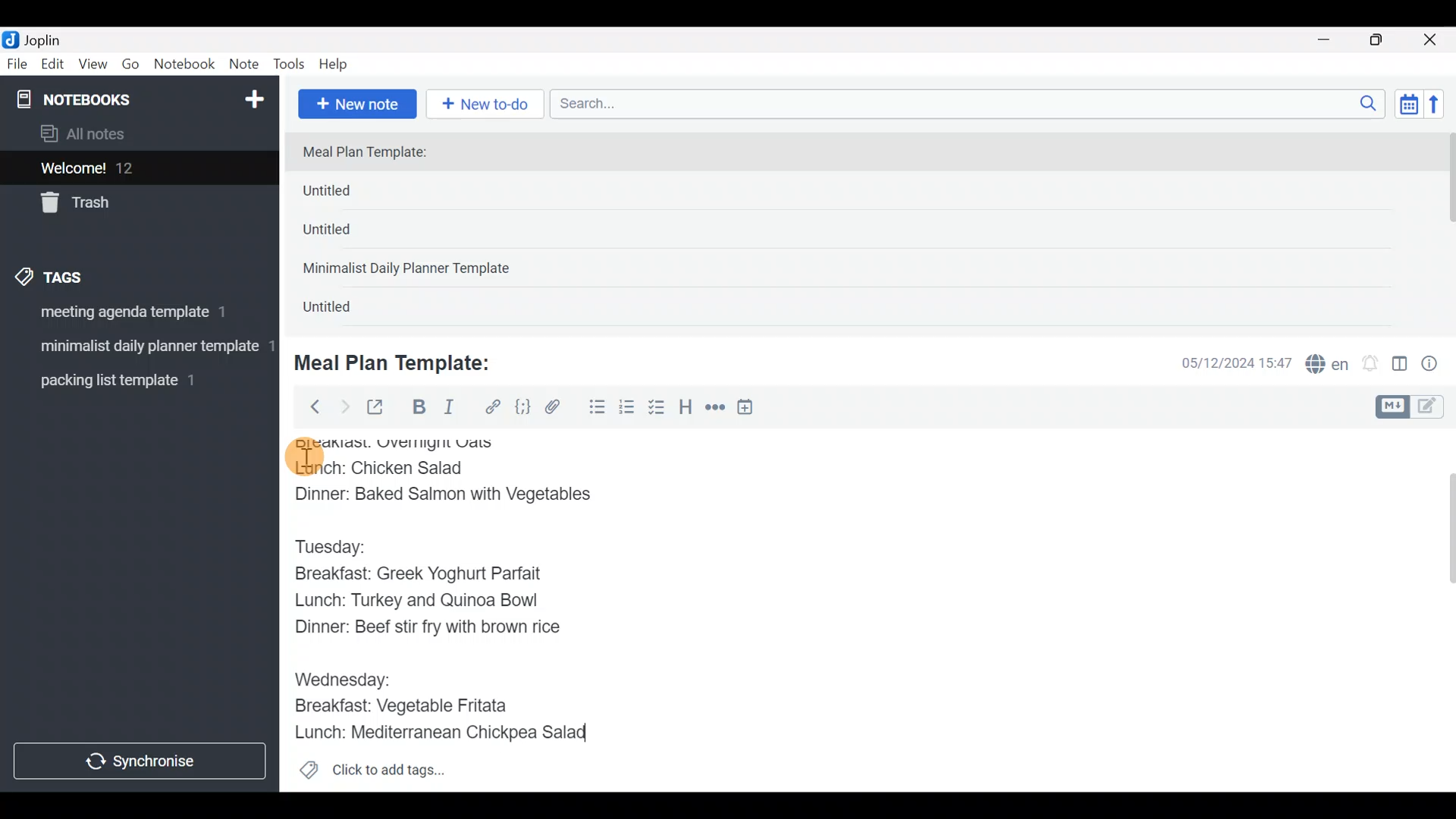 This screenshot has height=819, width=1456. What do you see at coordinates (1446, 229) in the screenshot?
I see `scroll bar` at bounding box center [1446, 229].